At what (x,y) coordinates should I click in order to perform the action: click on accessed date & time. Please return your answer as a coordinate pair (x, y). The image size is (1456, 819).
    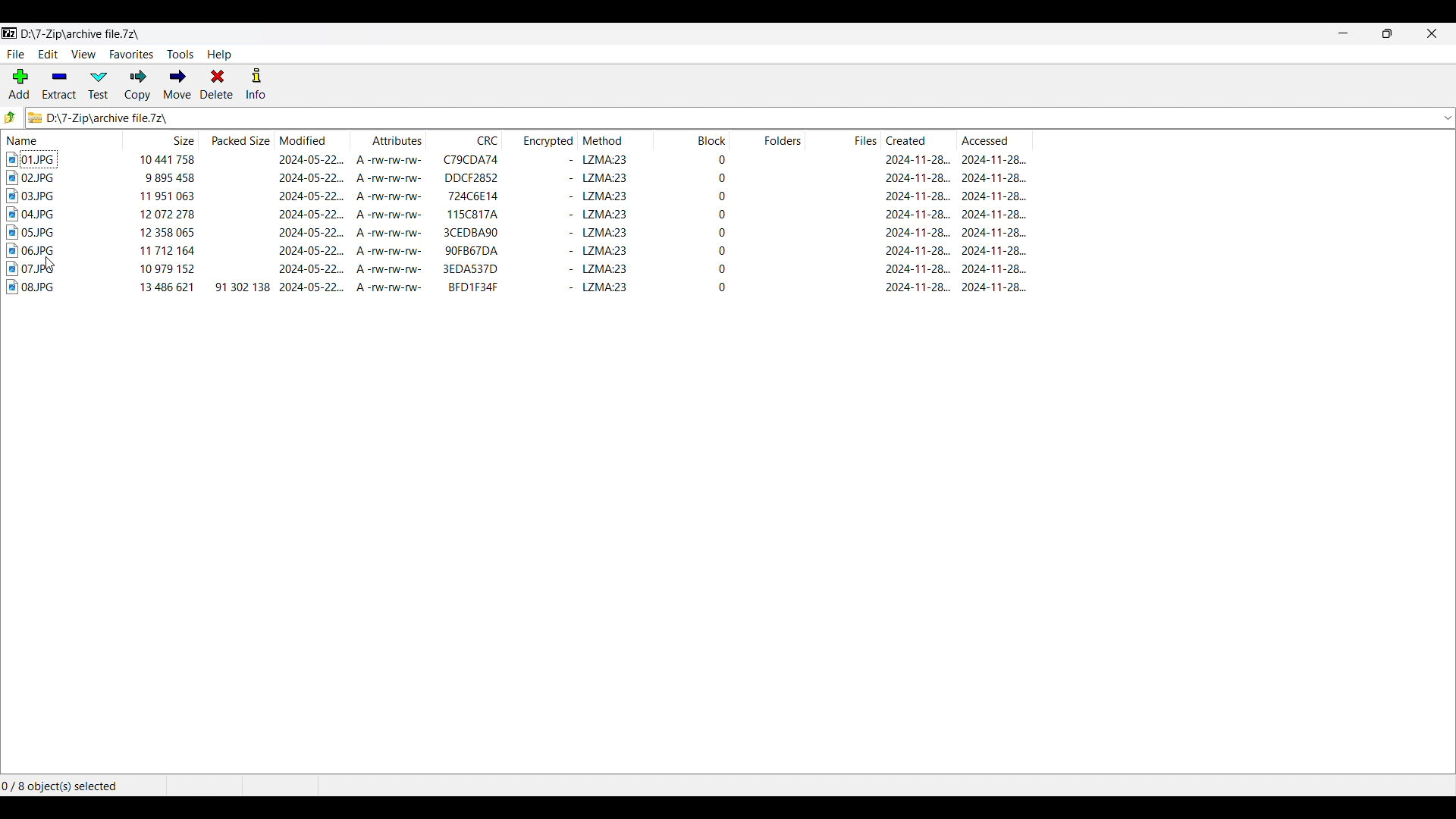
    Looking at the image, I should click on (994, 250).